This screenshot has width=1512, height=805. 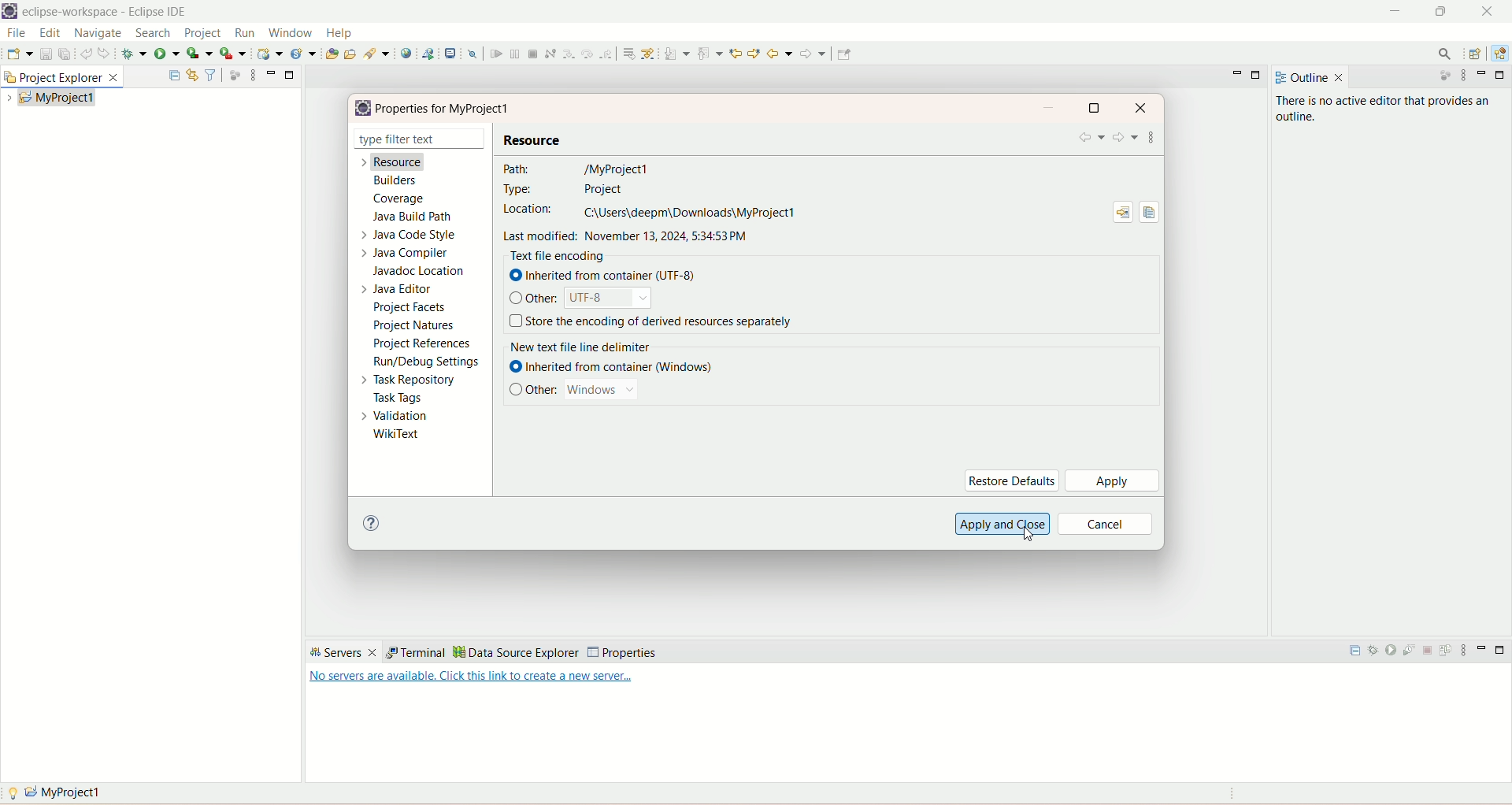 What do you see at coordinates (1093, 139) in the screenshot?
I see `back` at bounding box center [1093, 139].